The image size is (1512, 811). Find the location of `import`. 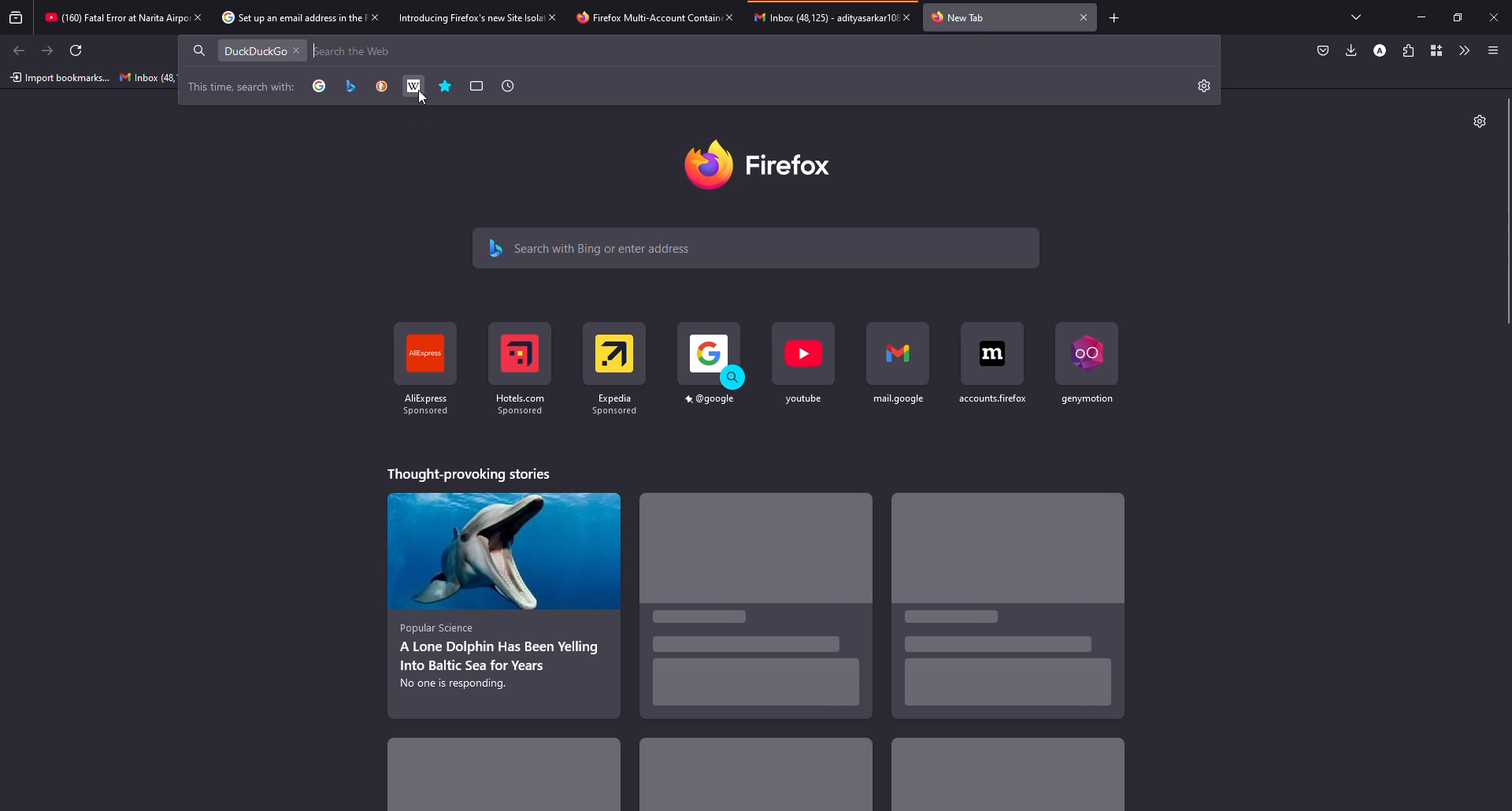

import is located at coordinates (58, 79).